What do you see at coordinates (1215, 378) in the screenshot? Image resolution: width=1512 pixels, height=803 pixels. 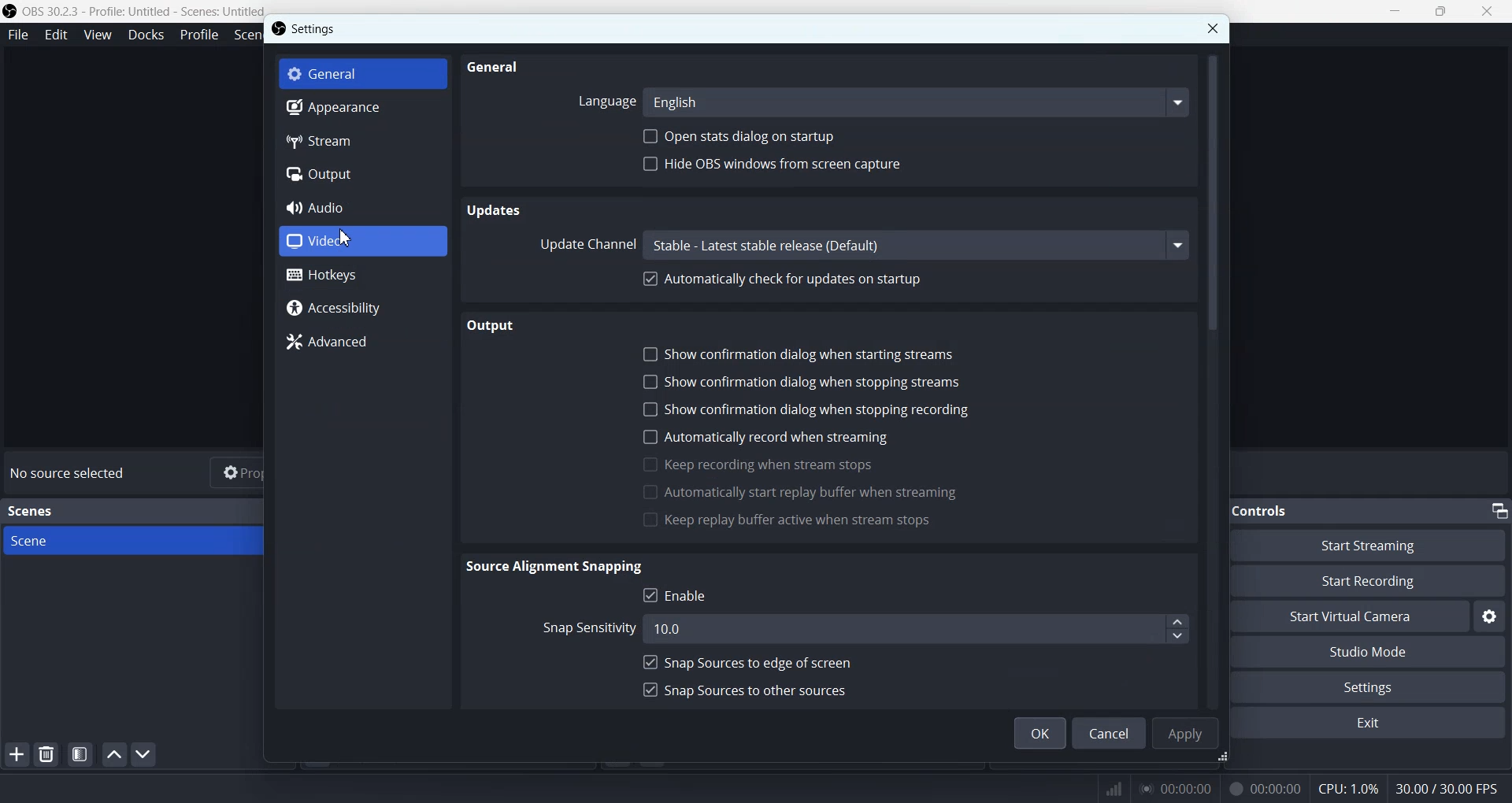 I see `Vertical scroll bar` at bounding box center [1215, 378].